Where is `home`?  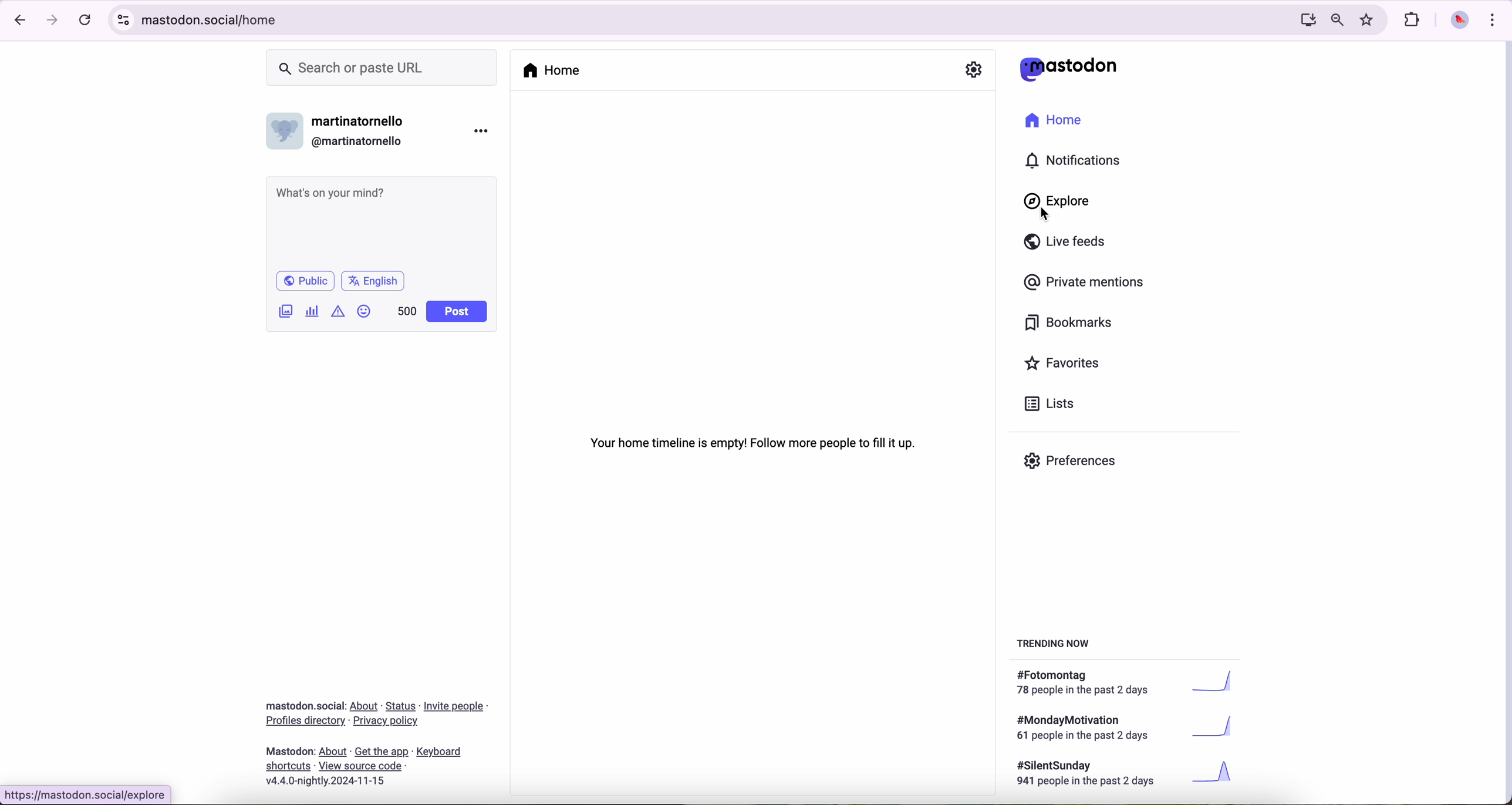 home is located at coordinates (1060, 123).